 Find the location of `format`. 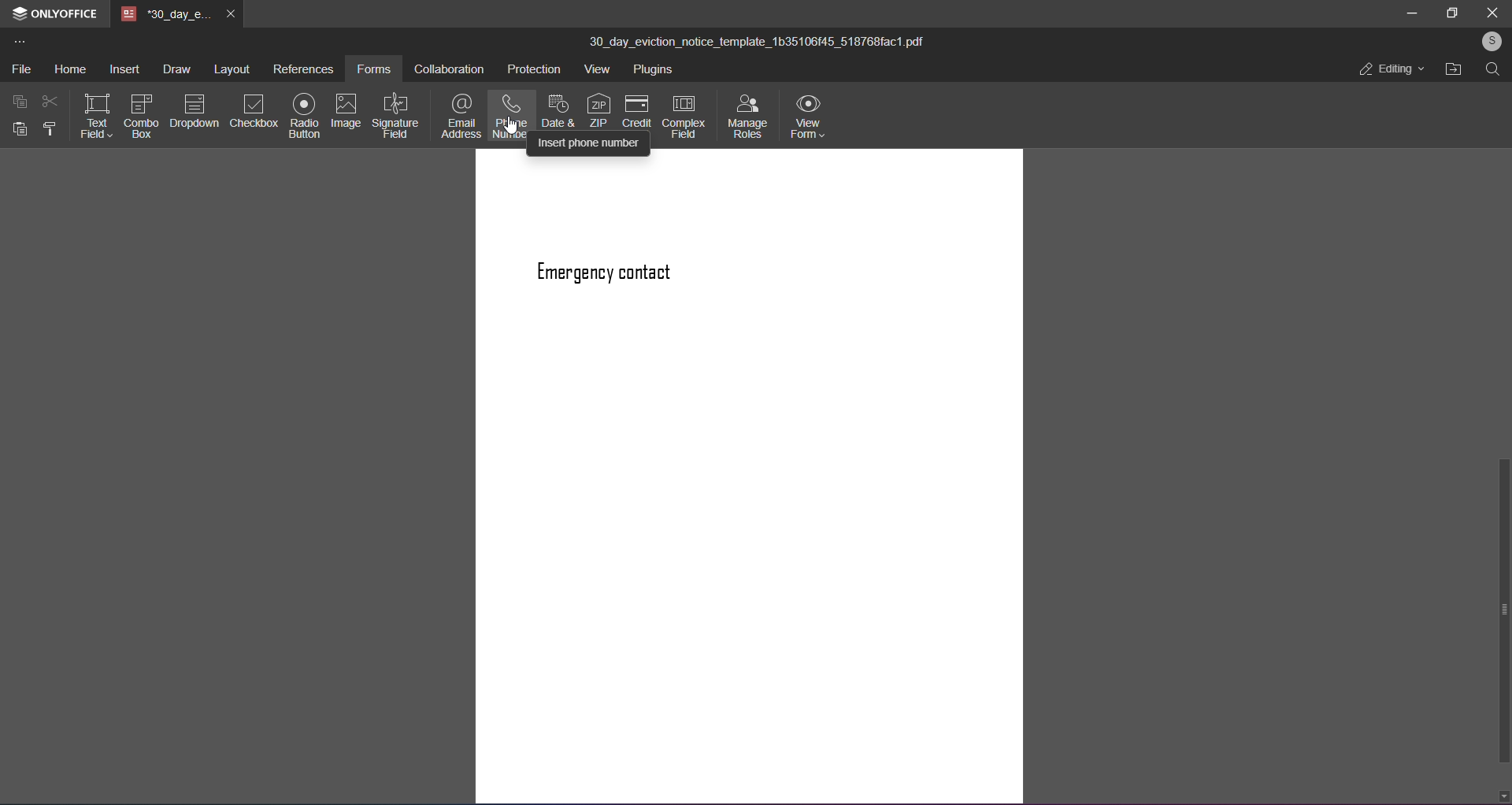

format is located at coordinates (52, 129).